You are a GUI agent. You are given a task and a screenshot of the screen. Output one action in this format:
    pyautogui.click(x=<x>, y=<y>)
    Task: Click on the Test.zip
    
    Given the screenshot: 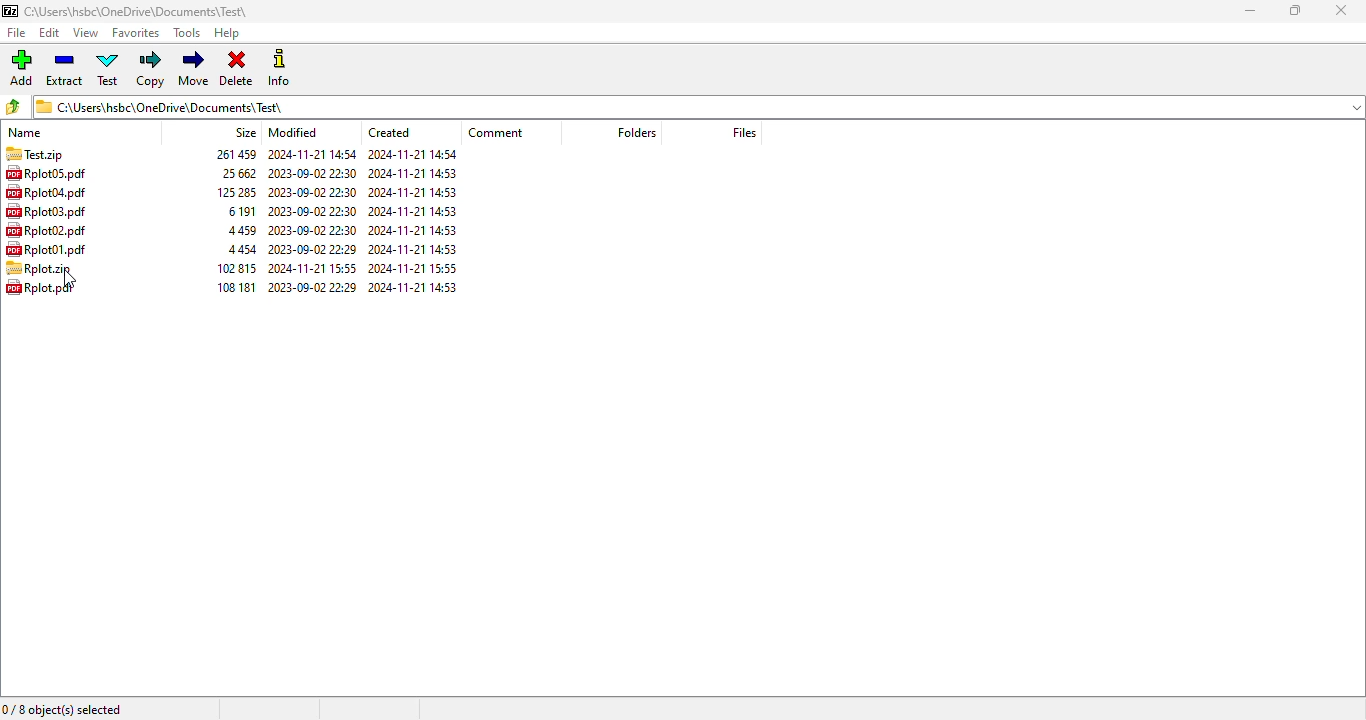 What is the action you would take?
    pyautogui.click(x=34, y=154)
    